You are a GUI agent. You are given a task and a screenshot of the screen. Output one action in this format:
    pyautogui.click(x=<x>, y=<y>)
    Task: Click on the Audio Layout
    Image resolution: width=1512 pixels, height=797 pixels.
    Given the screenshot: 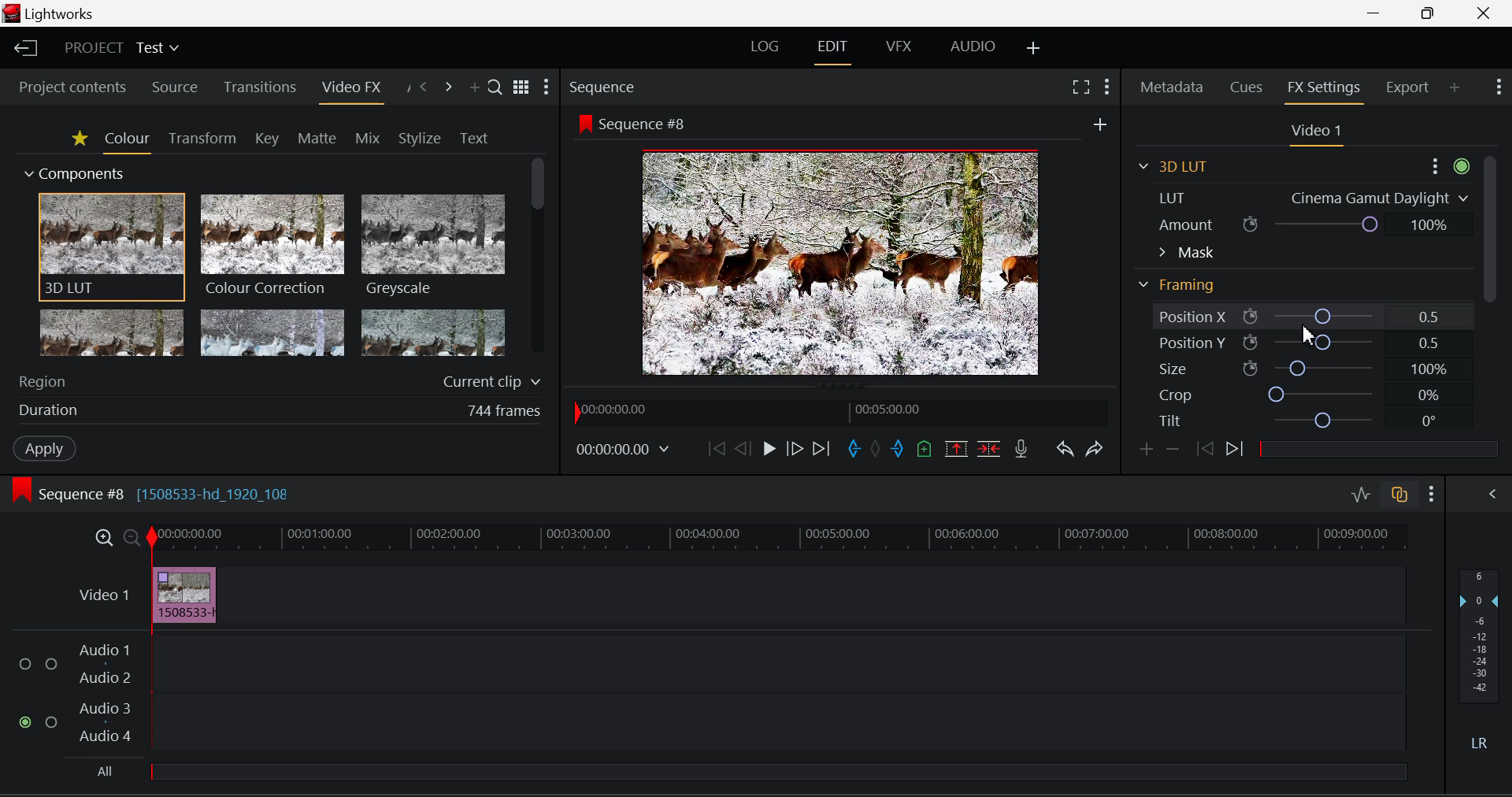 What is the action you would take?
    pyautogui.click(x=970, y=47)
    